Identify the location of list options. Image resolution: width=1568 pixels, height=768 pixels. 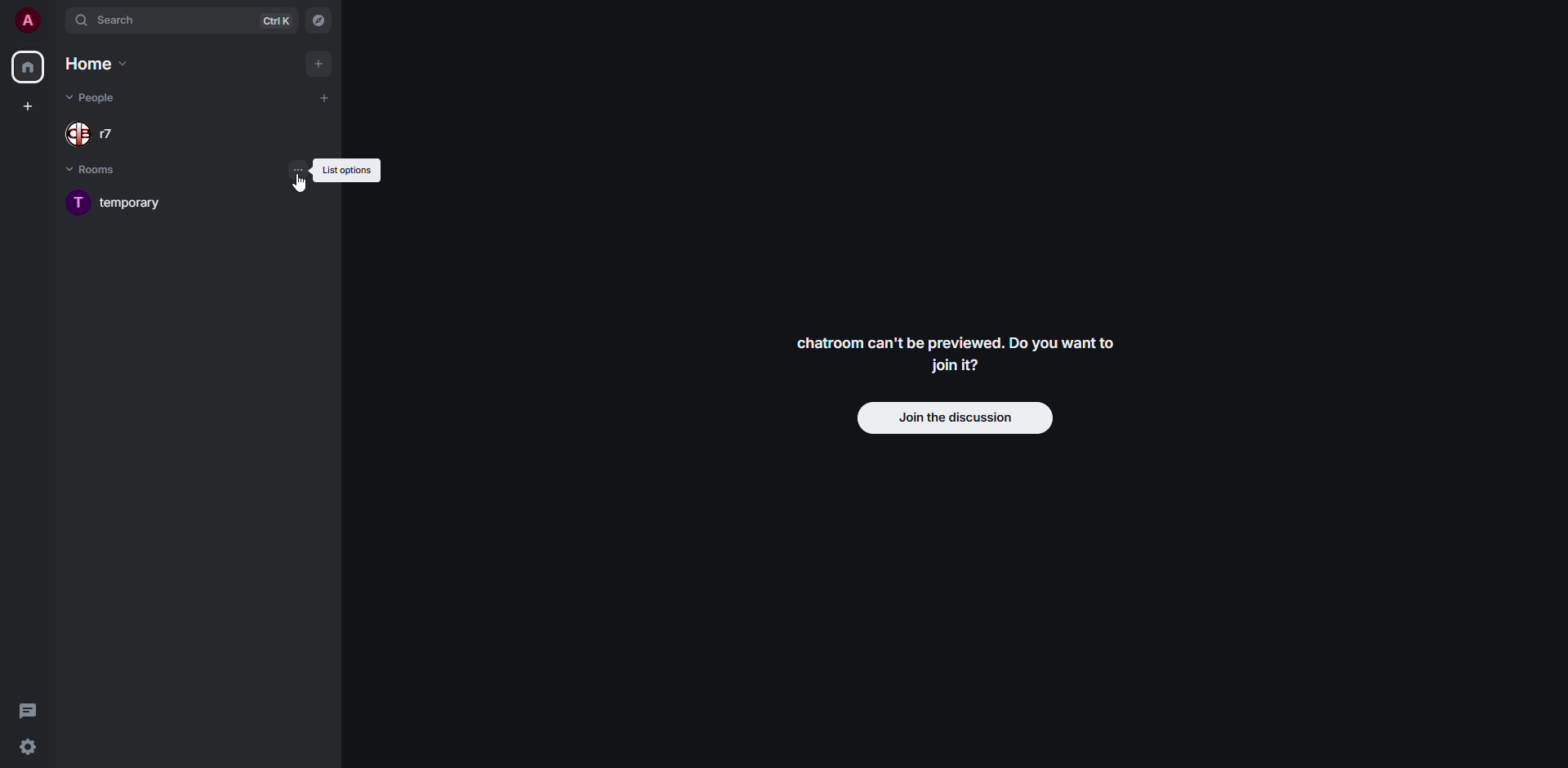
(300, 169).